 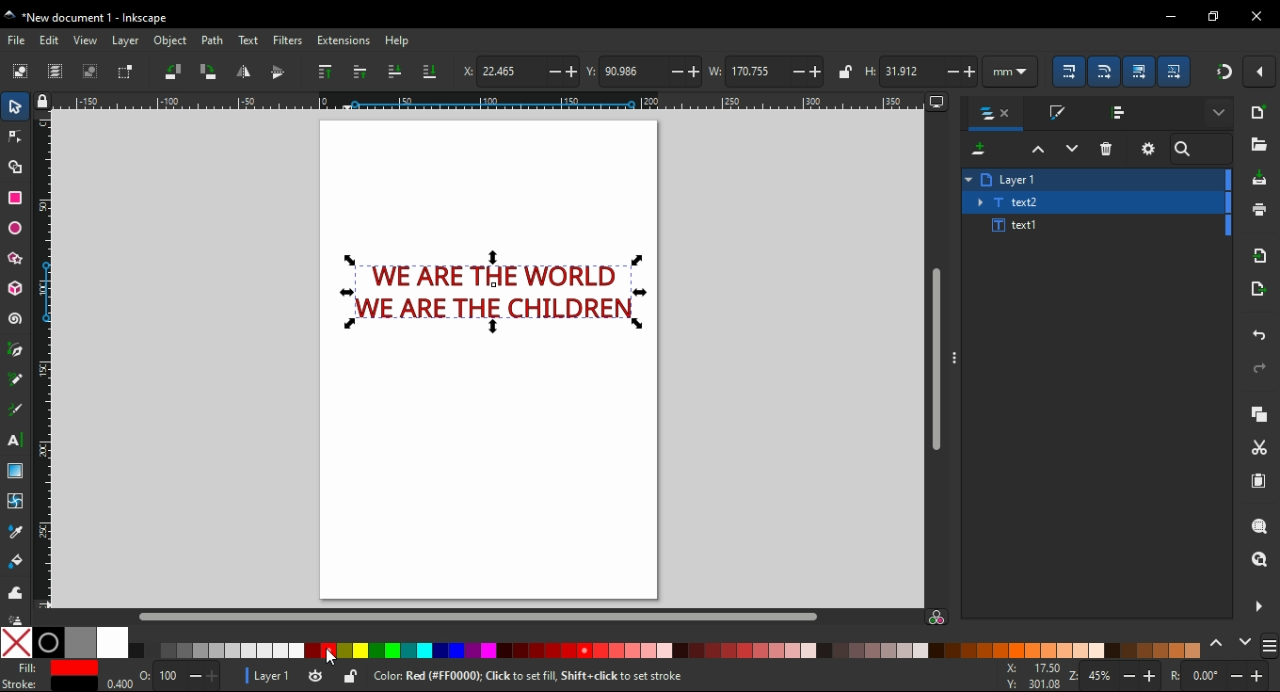 I want to click on text tool, so click(x=16, y=442).